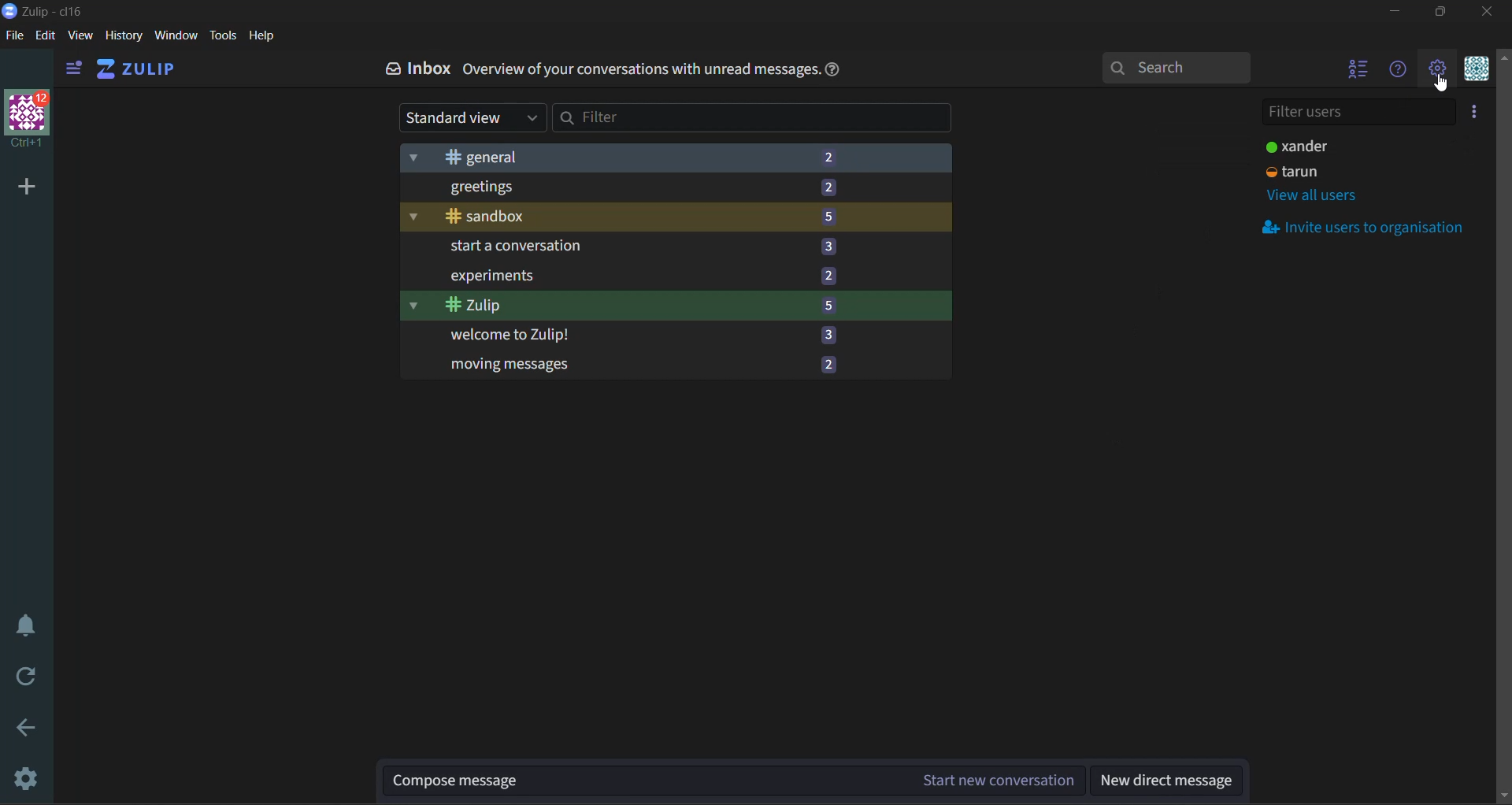  I want to click on view, so click(83, 37).